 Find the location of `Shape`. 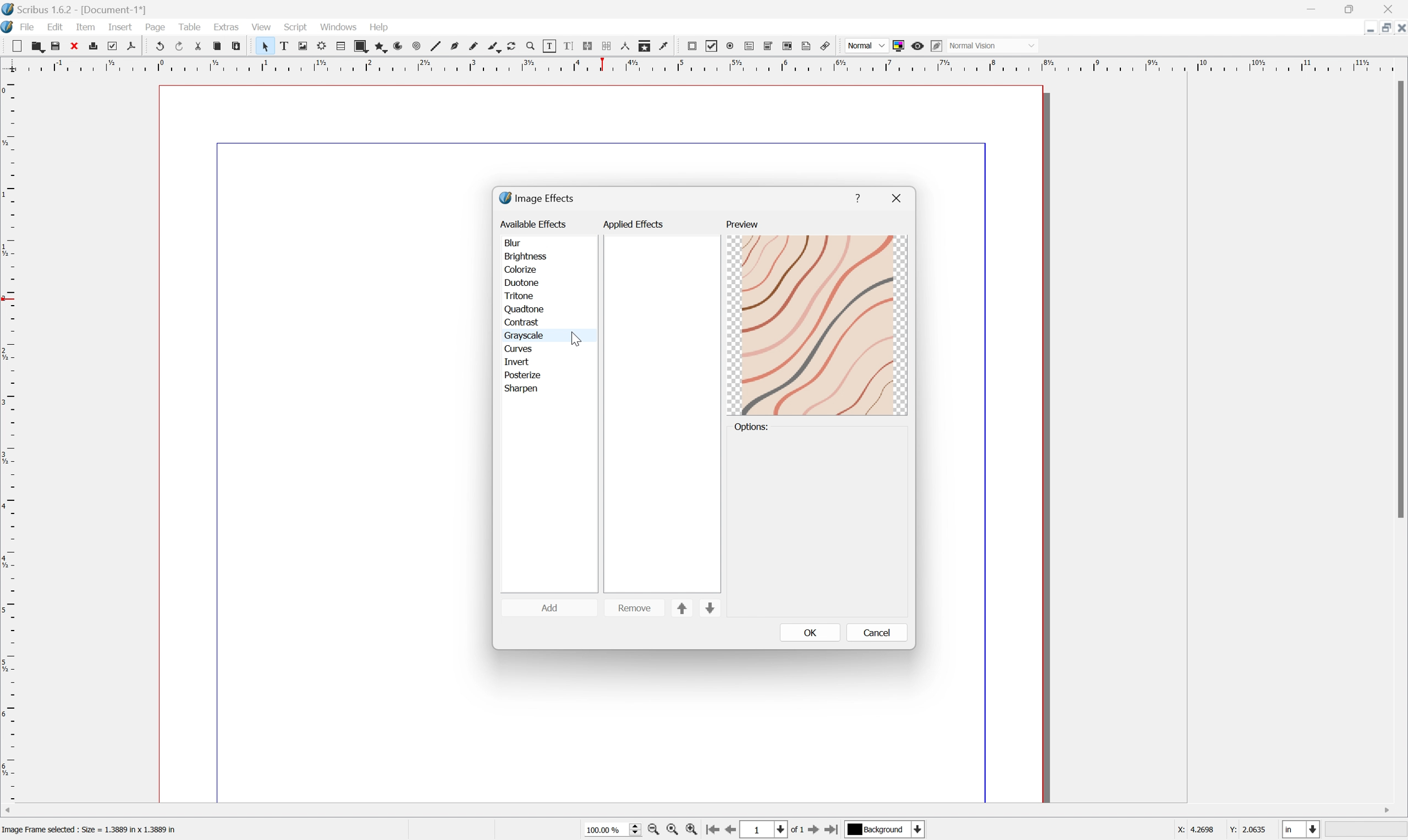

Shape is located at coordinates (364, 47).